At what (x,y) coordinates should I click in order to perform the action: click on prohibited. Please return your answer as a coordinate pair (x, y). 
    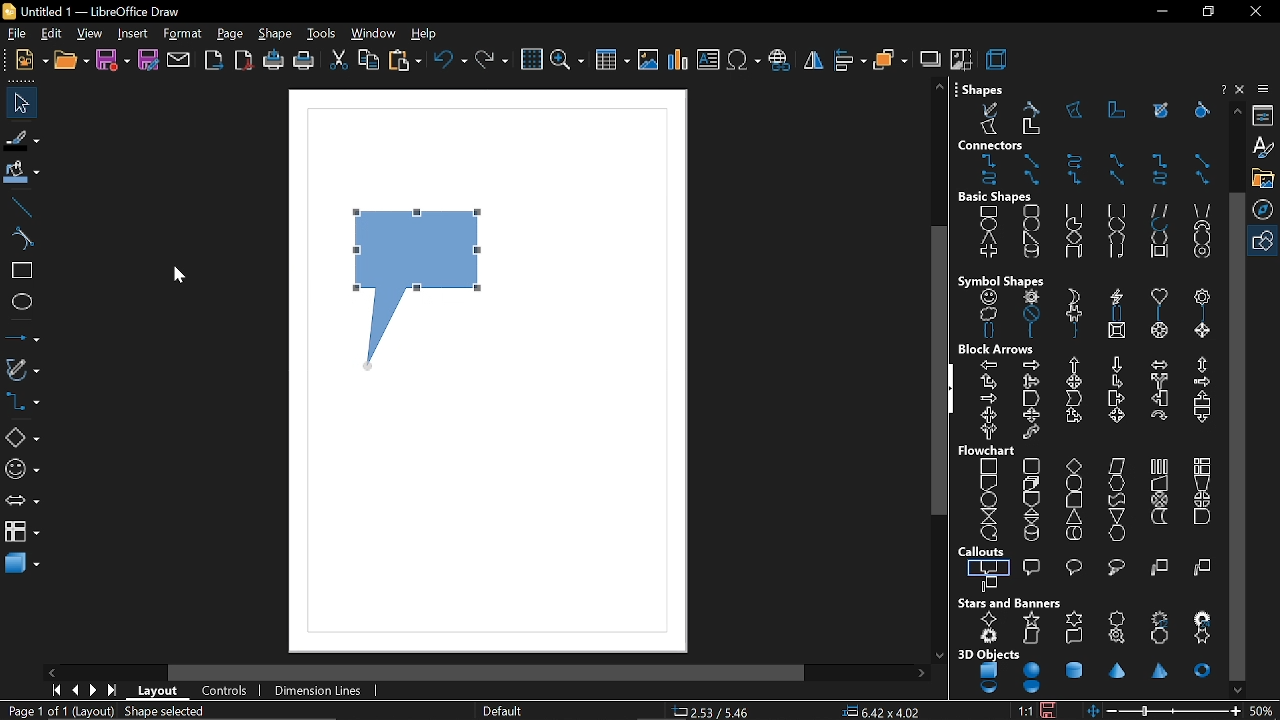
    Looking at the image, I should click on (1028, 315).